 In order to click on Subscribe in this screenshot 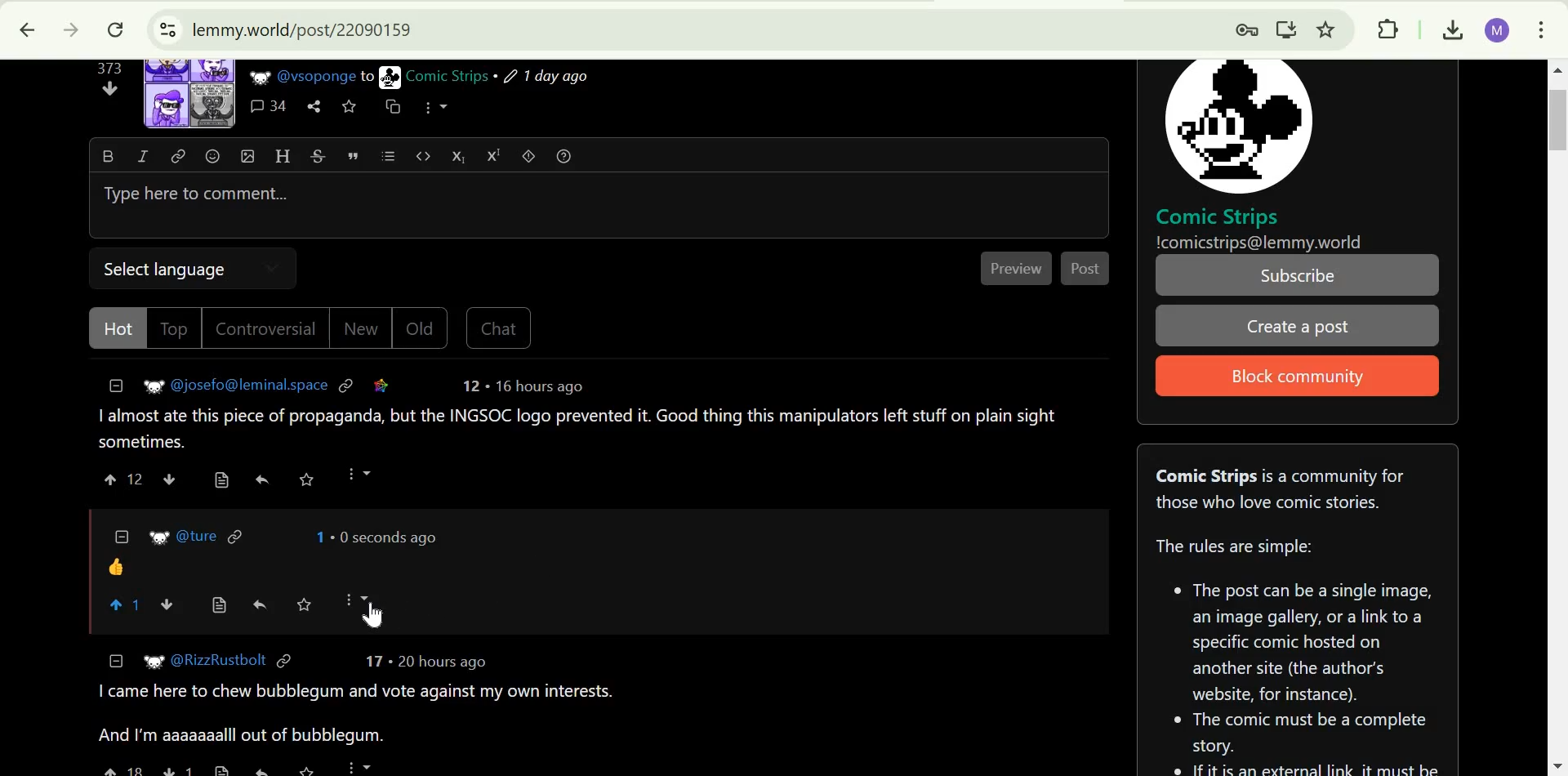, I will do `click(1299, 275)`.